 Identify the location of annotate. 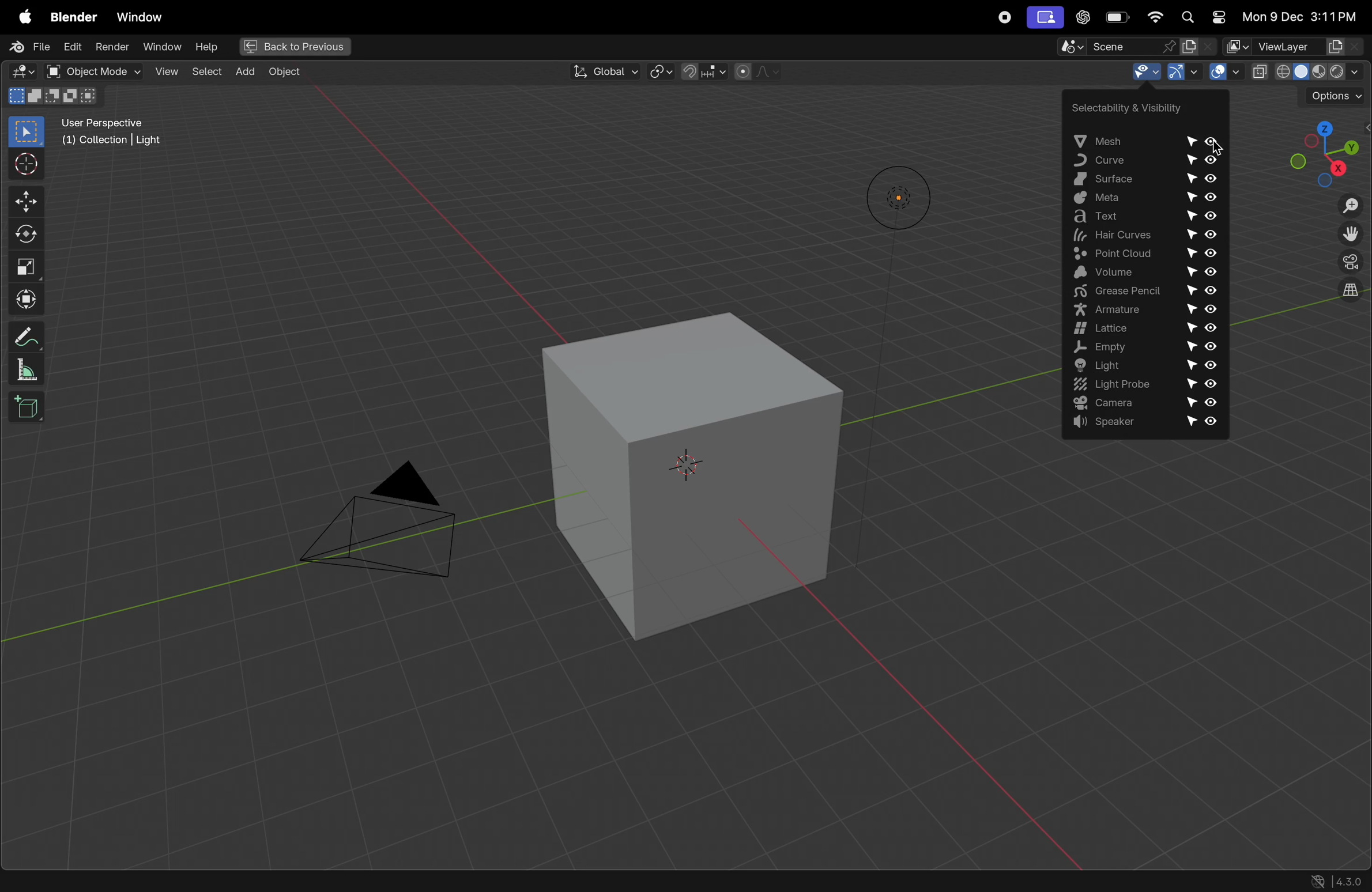
(27, 337).